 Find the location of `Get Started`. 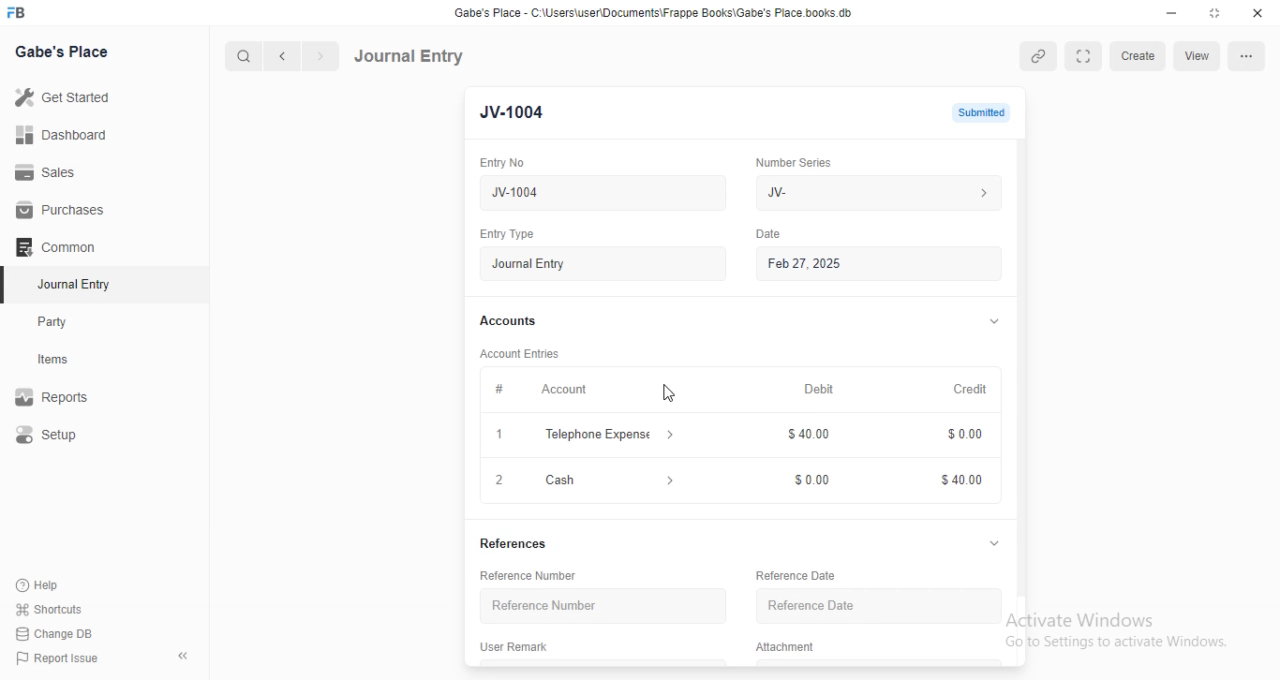

Get Started is located at coordinates (66, 97).